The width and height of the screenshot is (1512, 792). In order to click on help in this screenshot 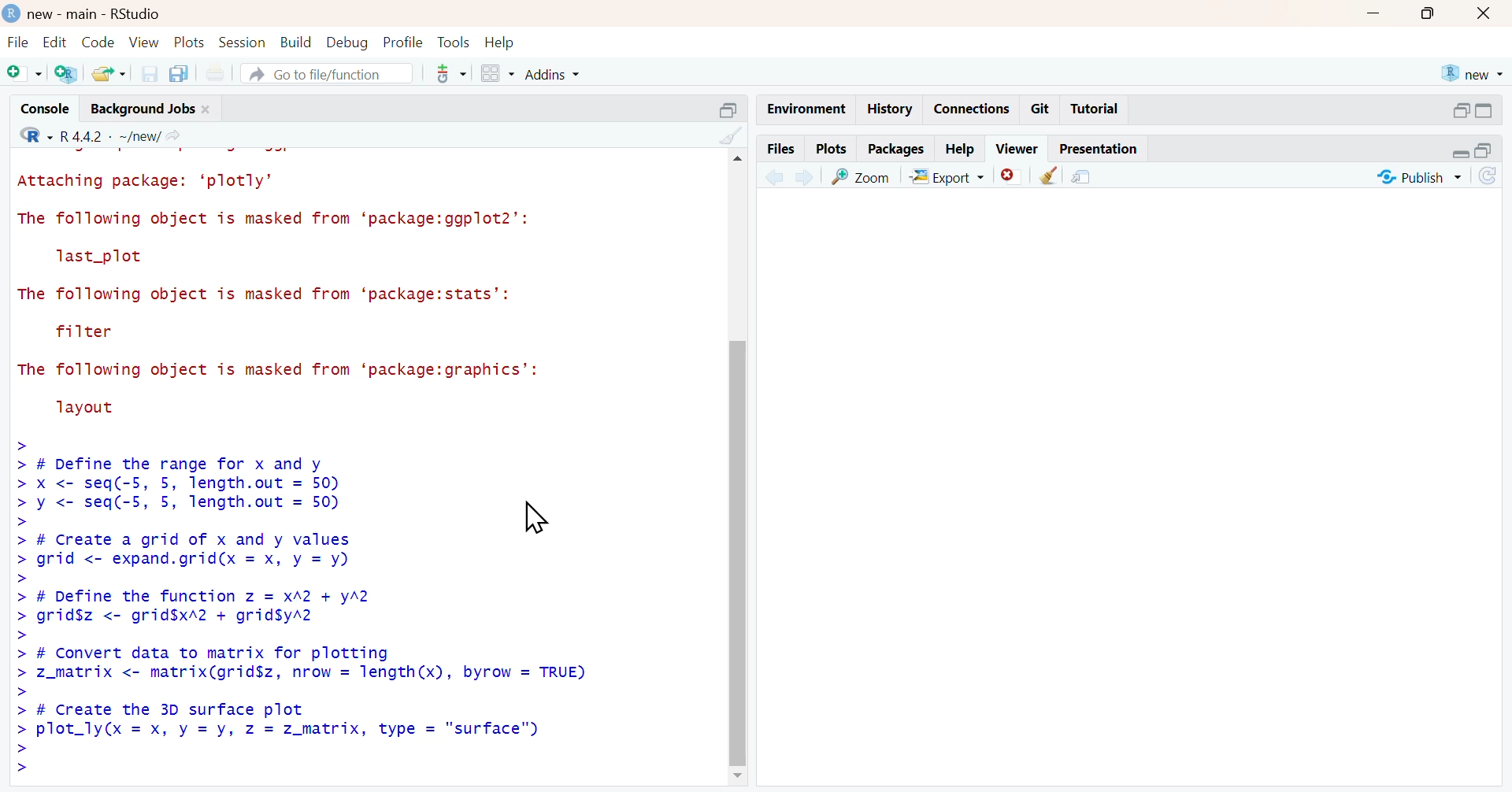, I will do `click(503, 41)`.